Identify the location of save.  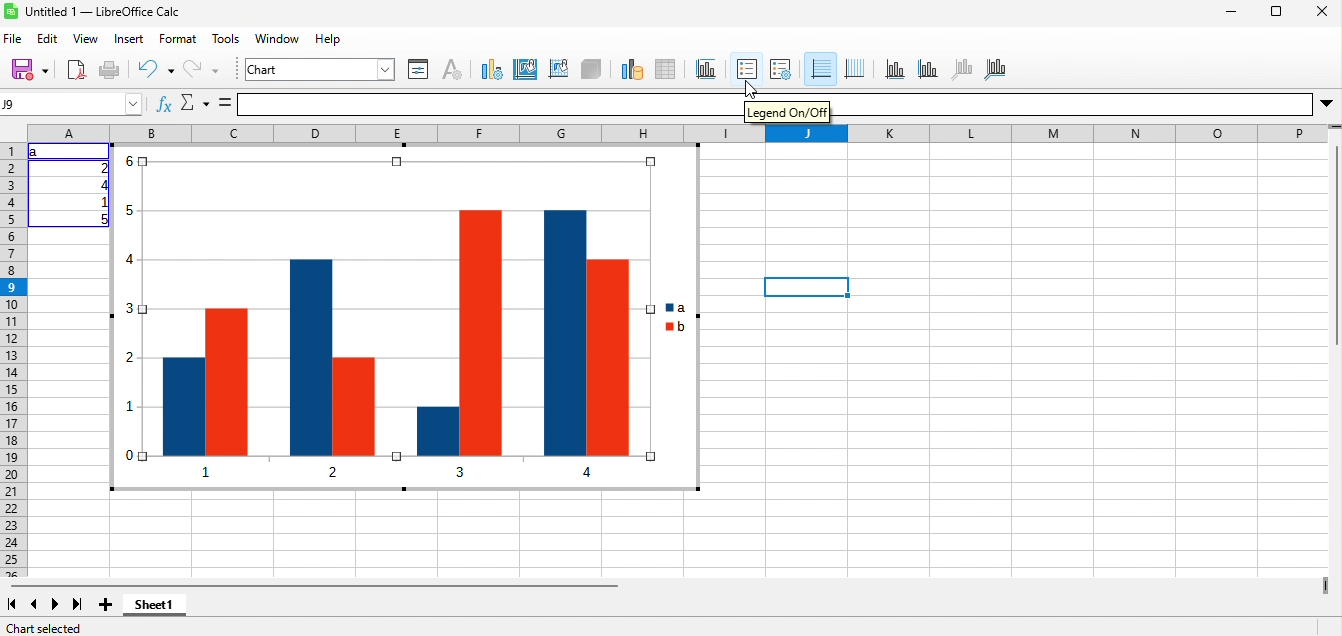
(28, 71).